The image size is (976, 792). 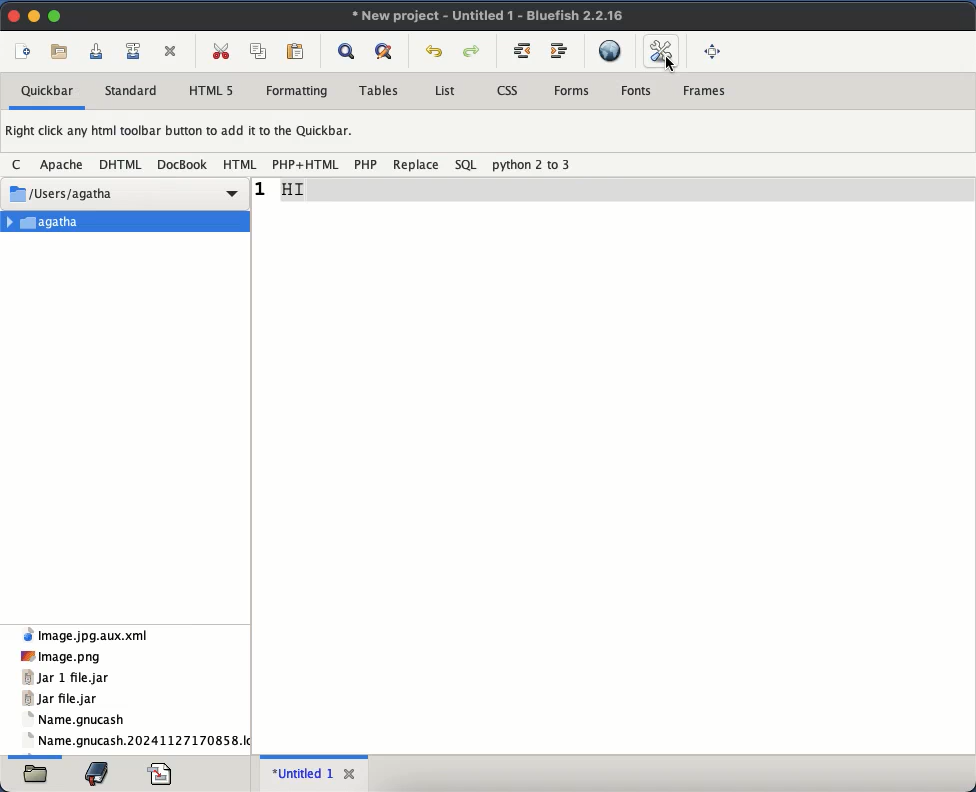 What do you see at coordinates (213, 92) in the screenshot?
I see `html 5` at bounding box center [213, 92].